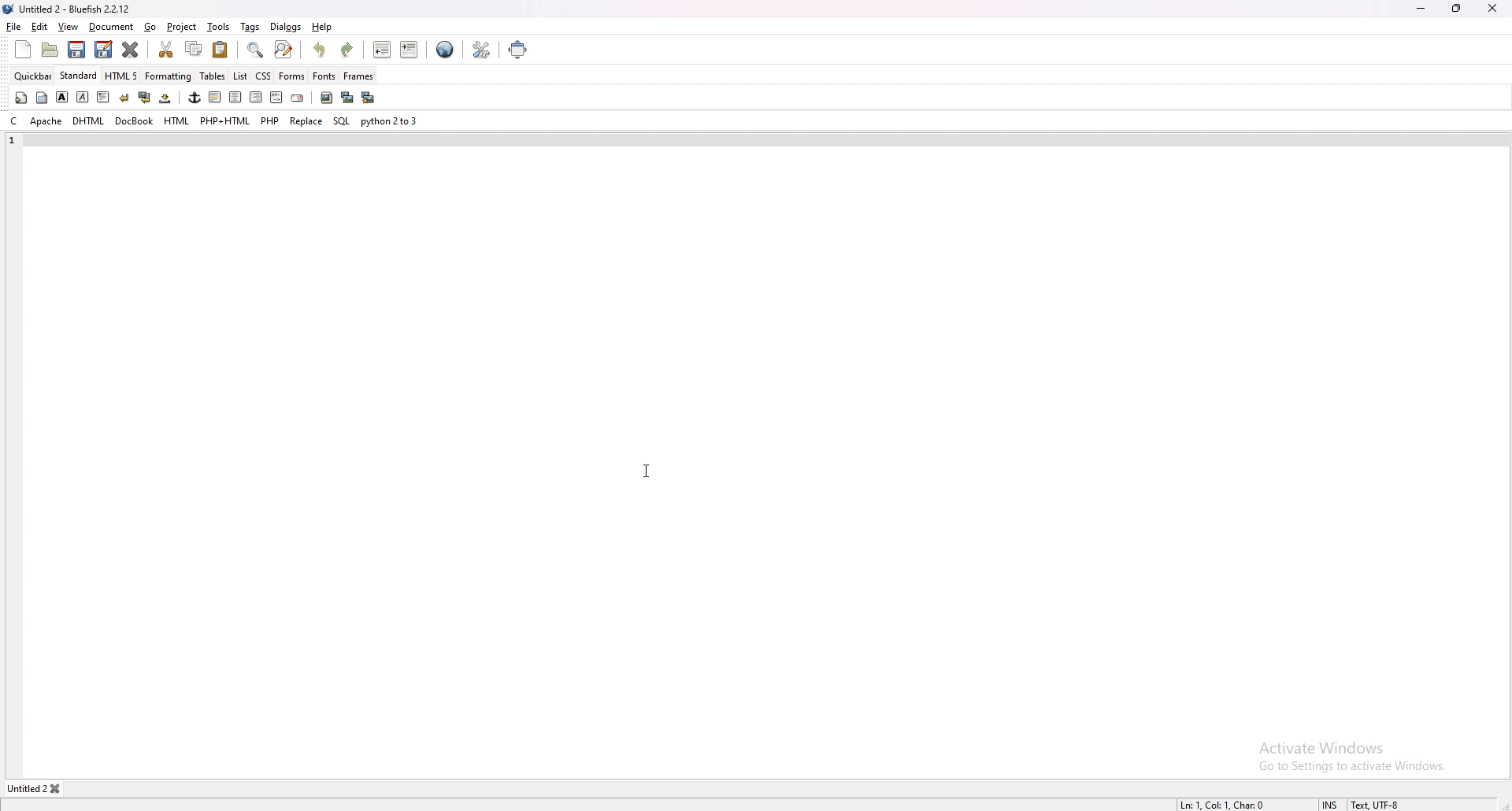 This screenshot has width=1512, height=811. Describe the element at coordinates (14, 27) in the screenshot. I see `file` at that location.